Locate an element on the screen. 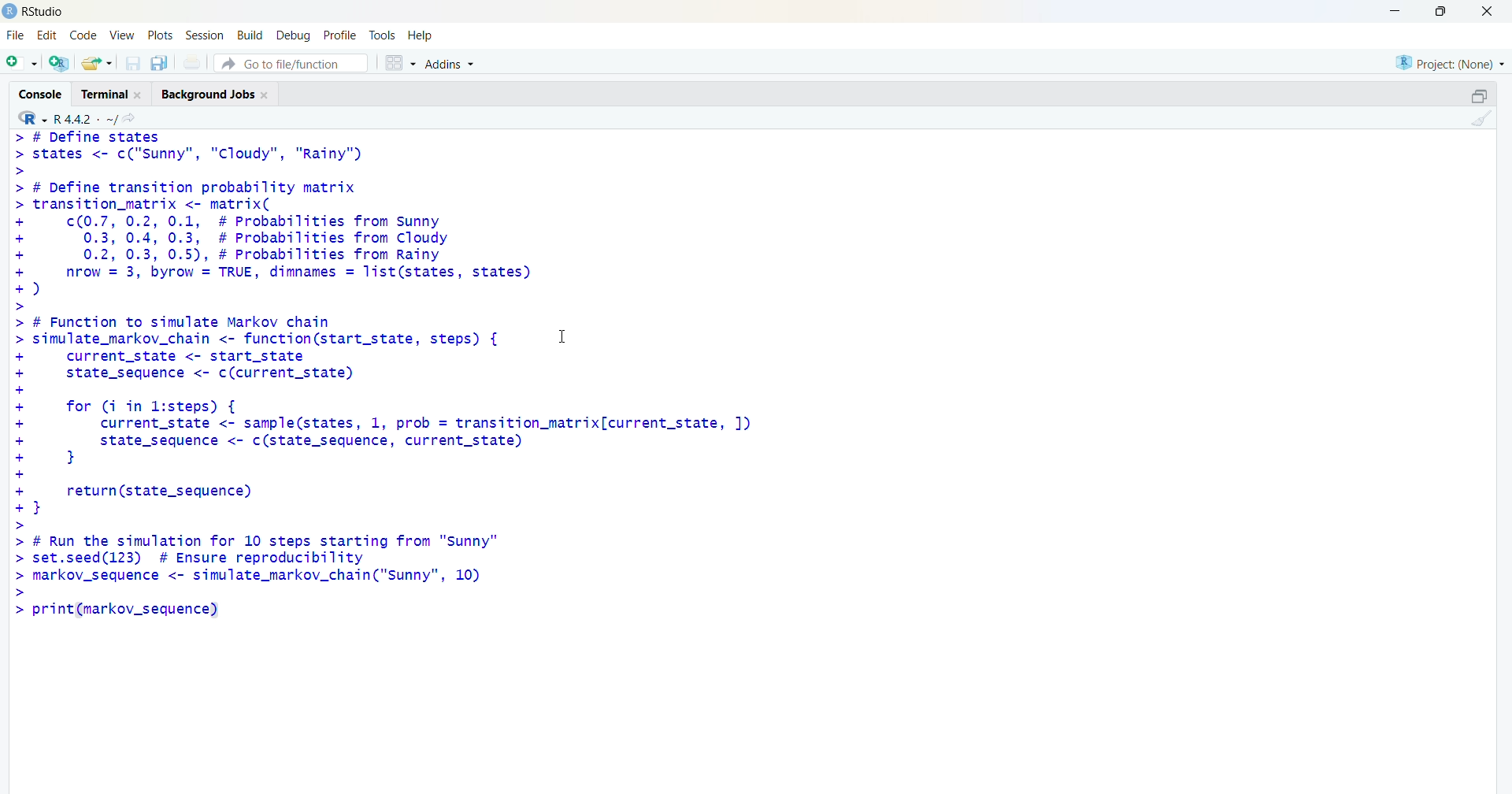 This screenshot has width=1512, height=794. plots is located at coordinates (162, 34).